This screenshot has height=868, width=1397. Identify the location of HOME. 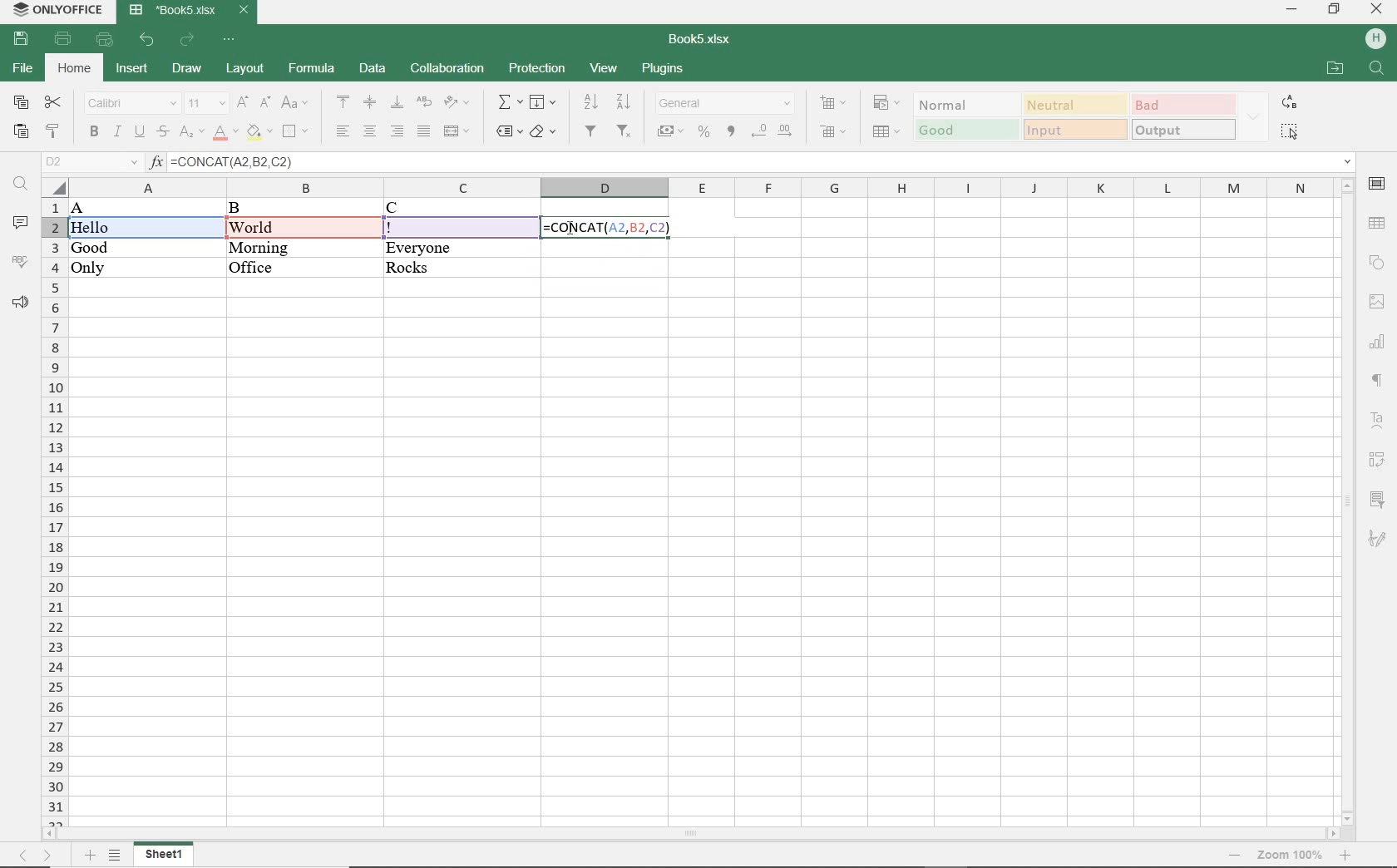
(72, 68).